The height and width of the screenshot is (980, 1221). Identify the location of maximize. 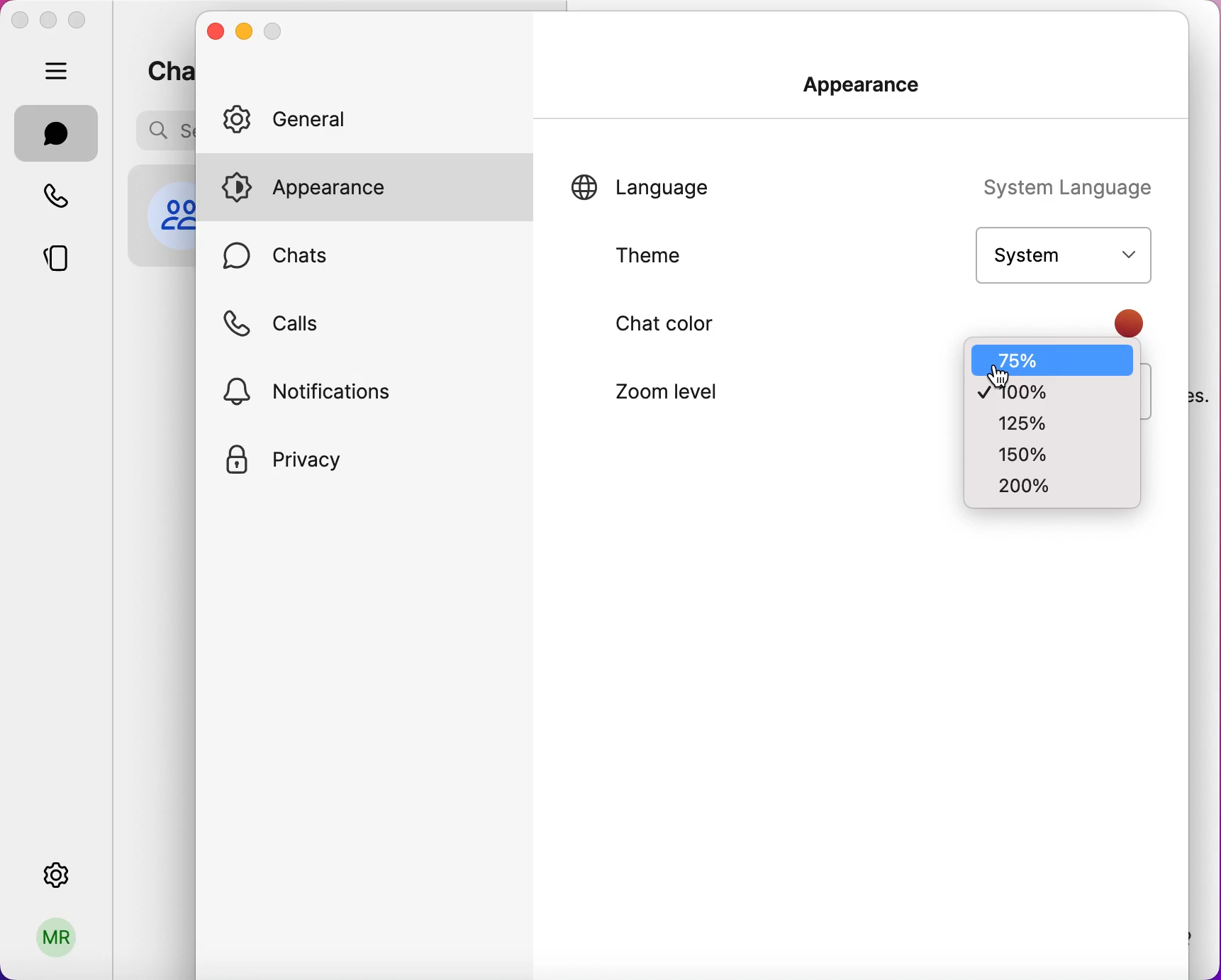
(280, 30).